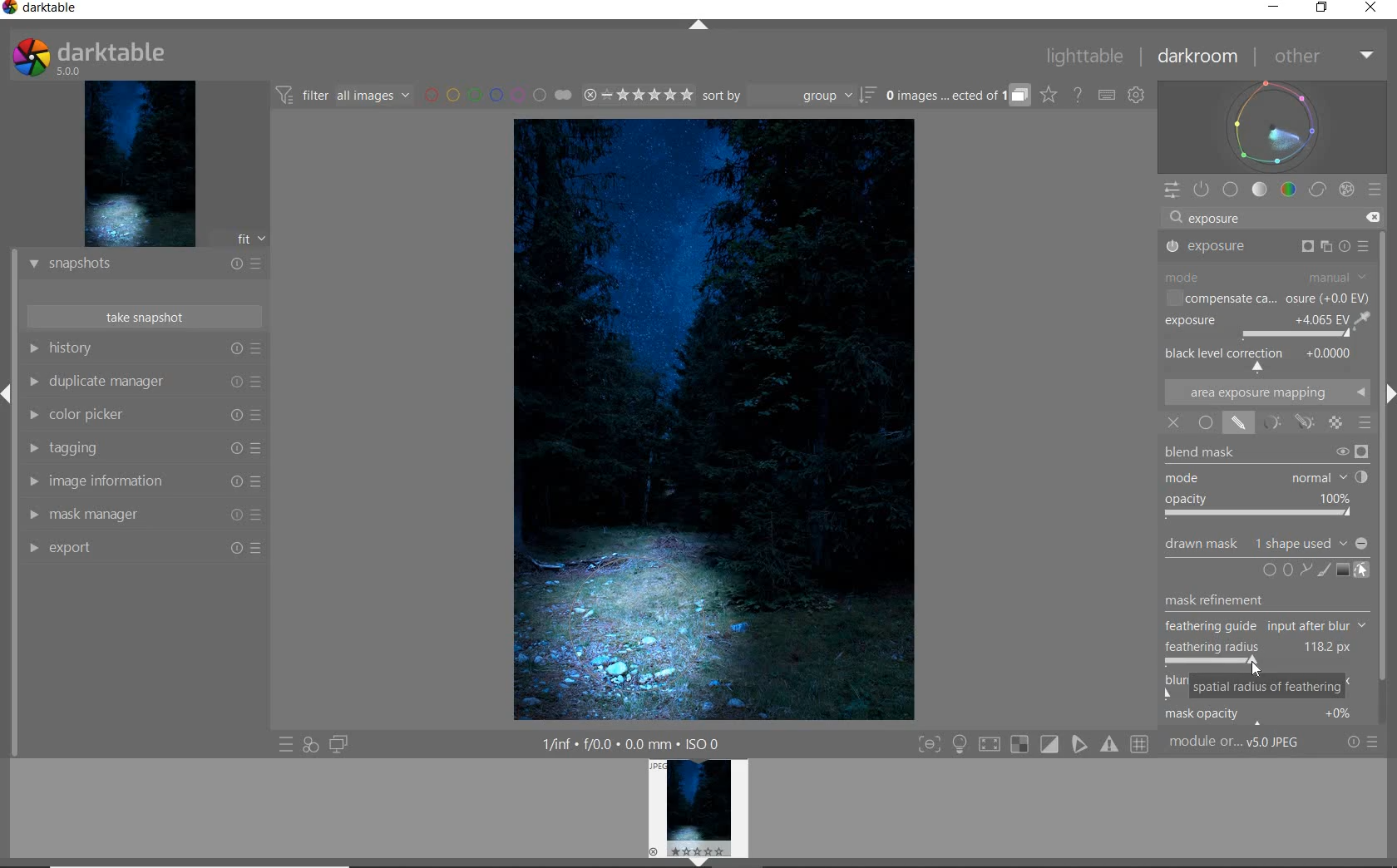 This screenshot has height=868, width=1397. I want to click on MASK OPTIONS, so click(1286, 422).